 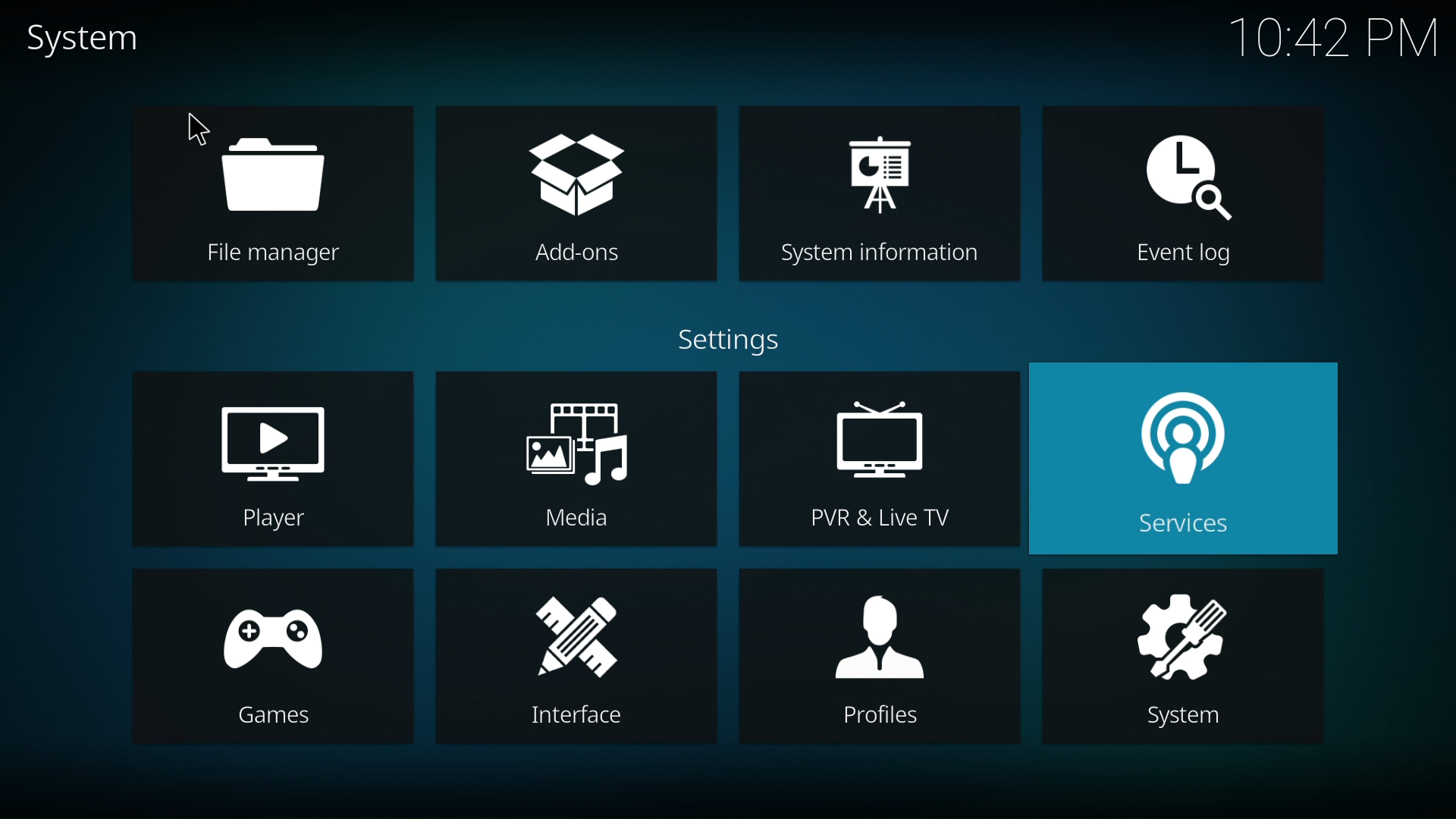 What do you see at coordinates (201, 127) in the screenshot?
I see `Cursor` at bounding box center [201, 127].